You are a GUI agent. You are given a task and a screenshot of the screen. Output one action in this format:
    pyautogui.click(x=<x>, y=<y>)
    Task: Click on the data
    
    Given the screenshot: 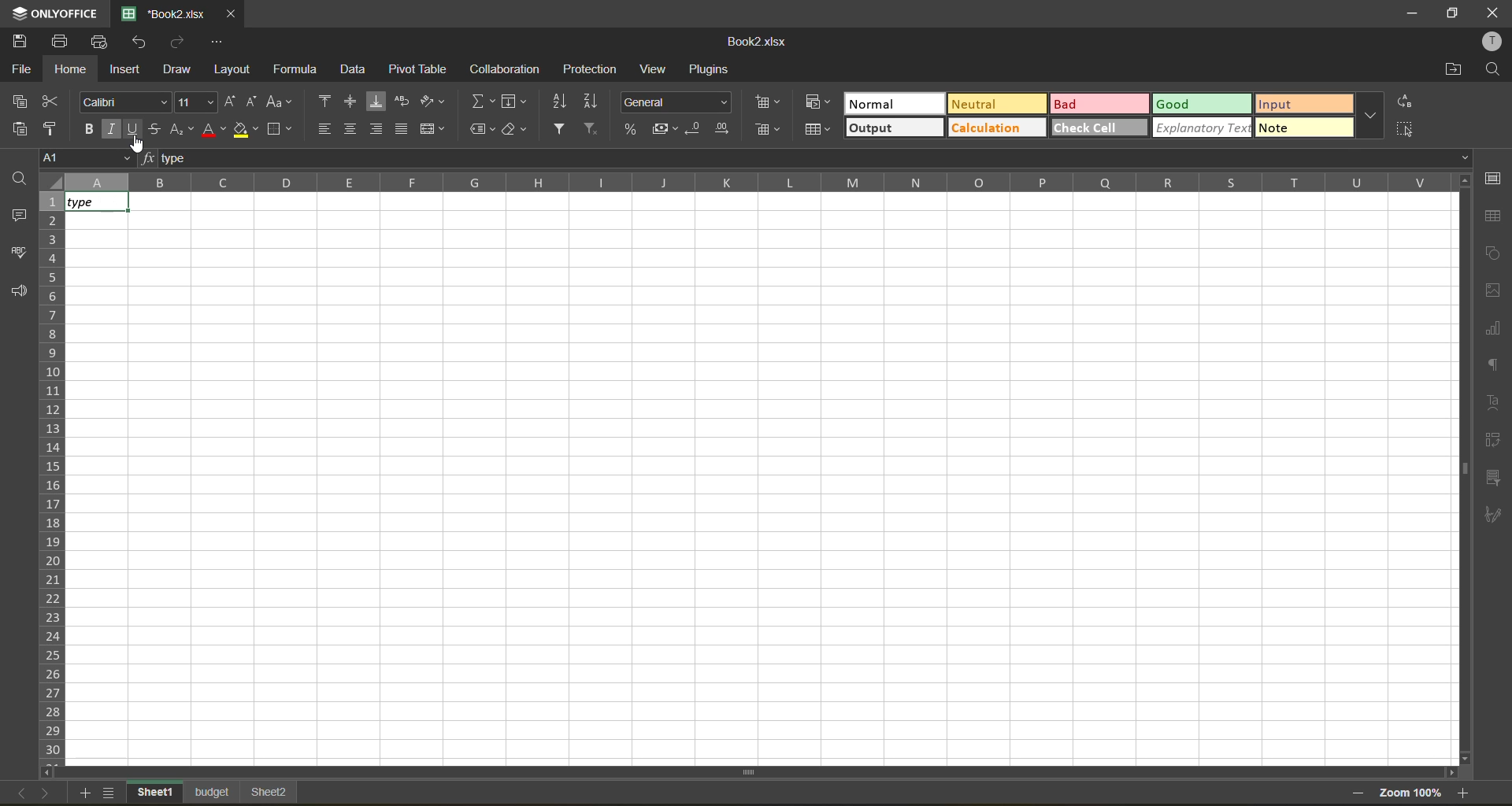 What is the action you would take?
    pyautogui.click(x=355, y=68)
    